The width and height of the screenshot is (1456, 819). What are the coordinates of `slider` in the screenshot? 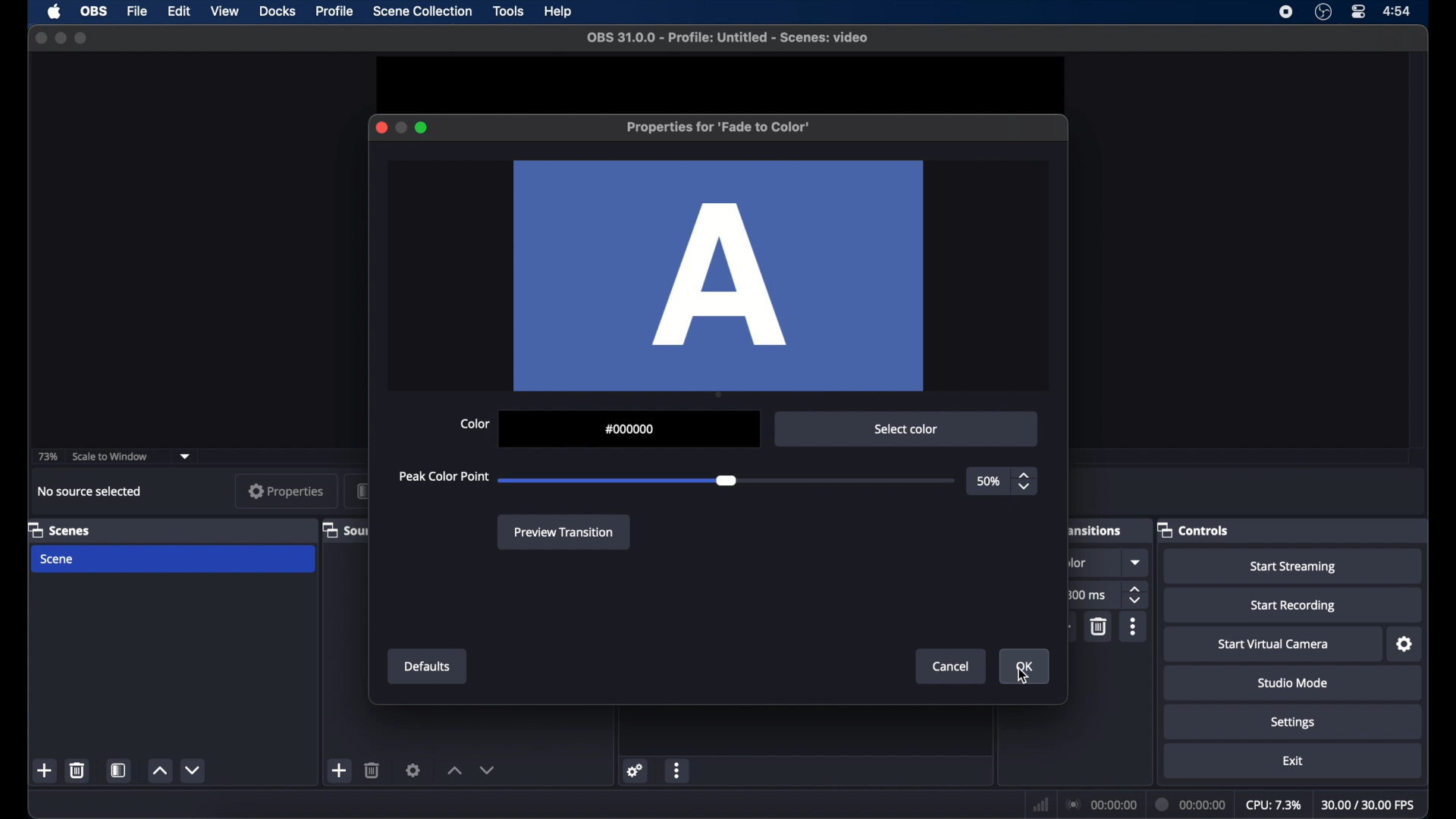 It's located at (619, 481).